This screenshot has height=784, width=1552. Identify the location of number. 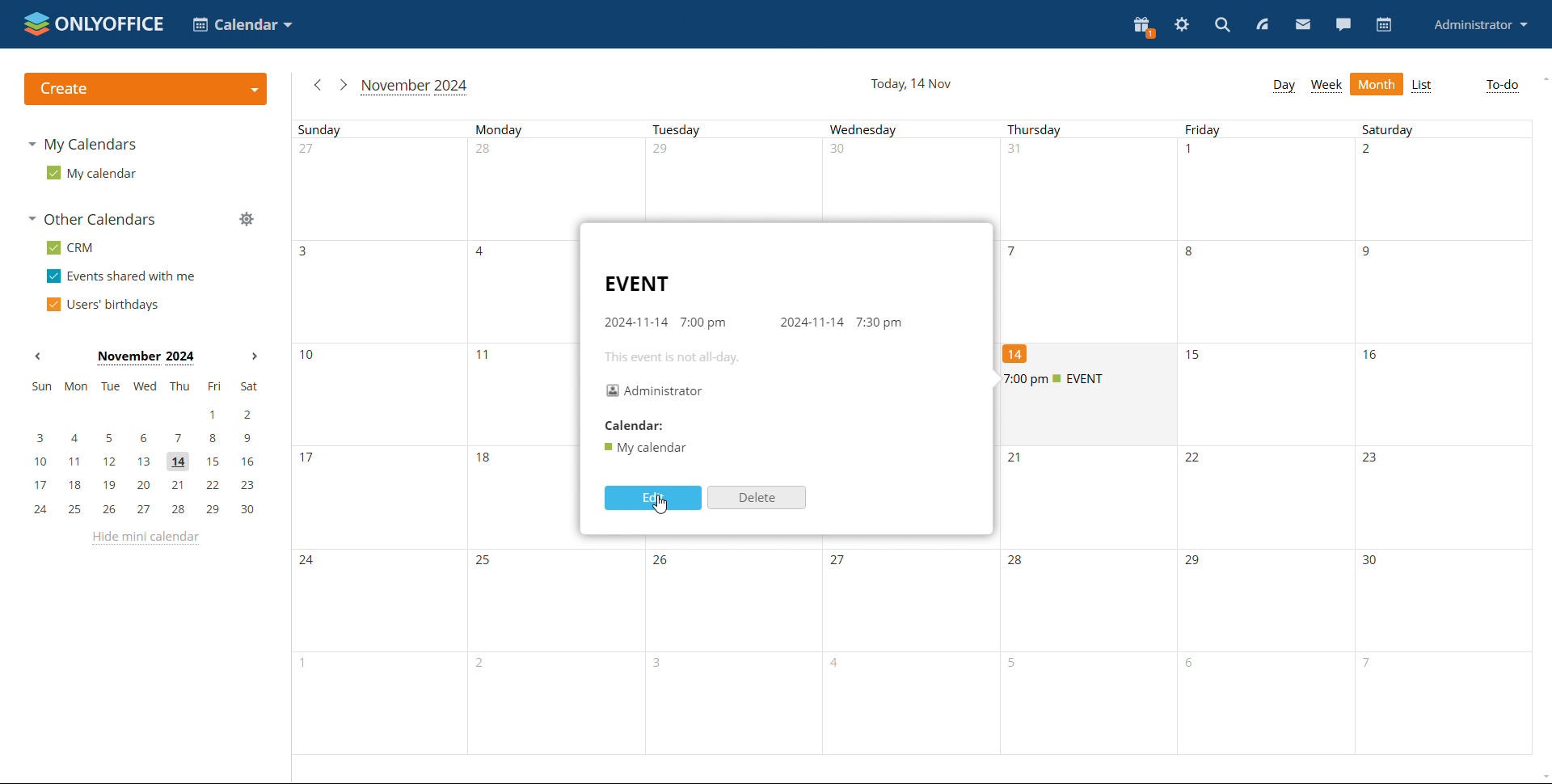
(1364, 665).